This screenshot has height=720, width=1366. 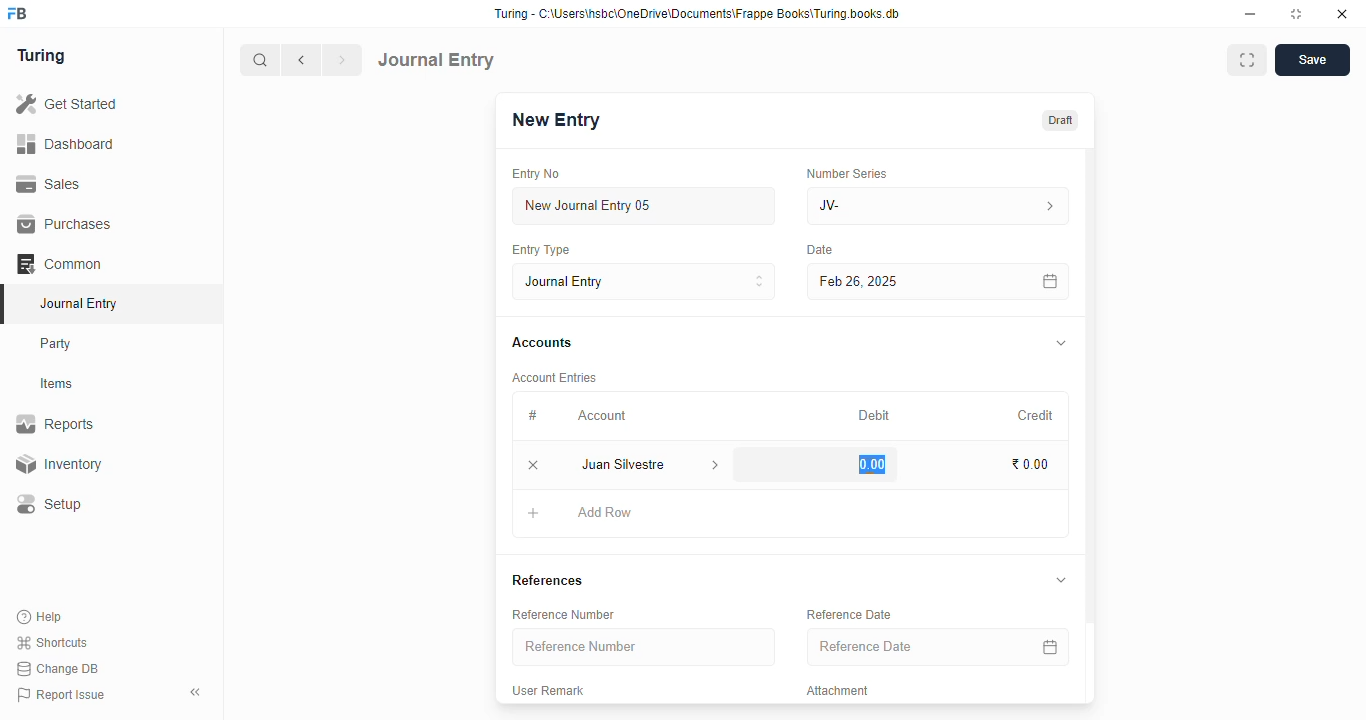 What do you see at coordinates (846, 173) in the screenshot?
I see `number series` at bounding box center [846, 173].